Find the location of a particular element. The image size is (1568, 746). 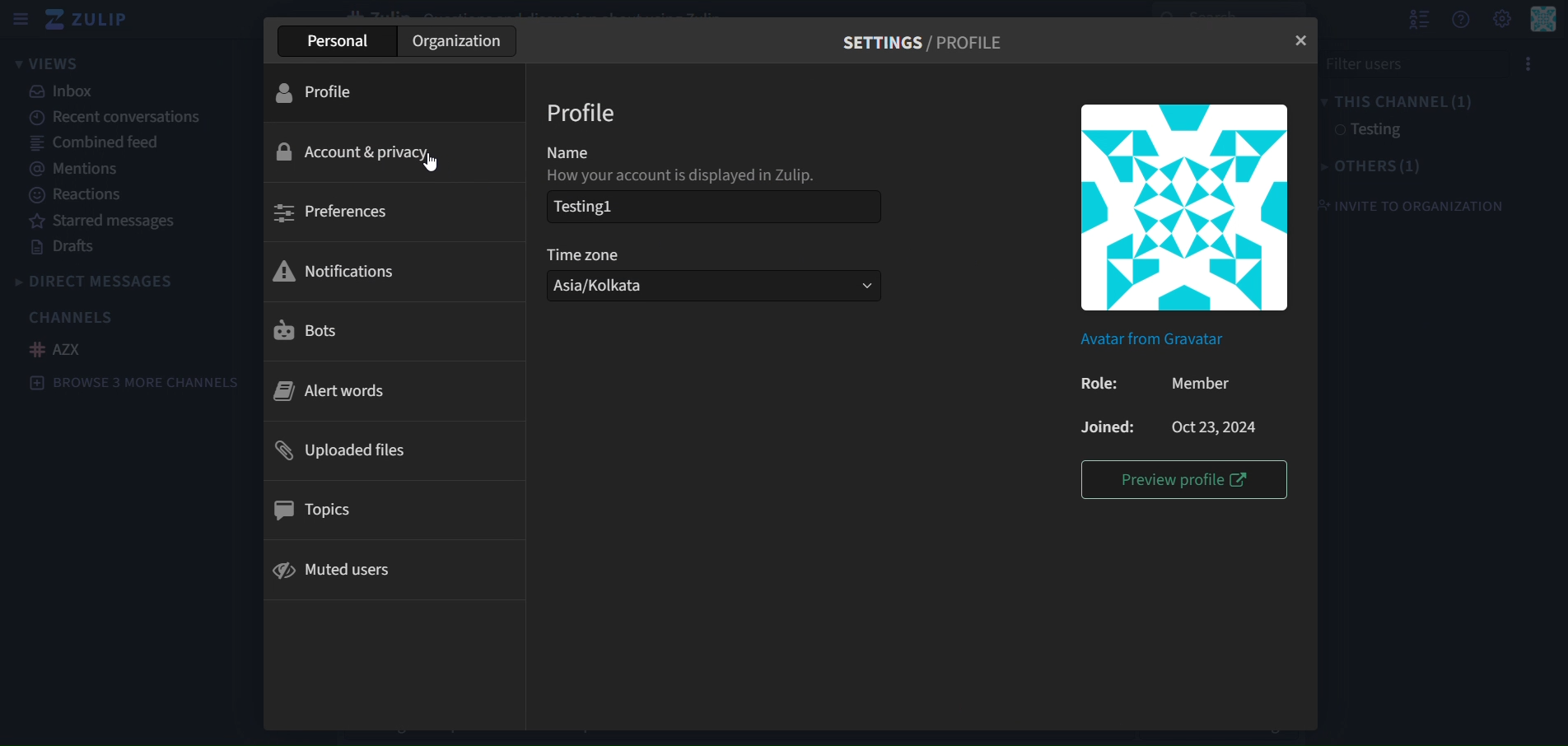

zulip is located at coordinates (88, 19).